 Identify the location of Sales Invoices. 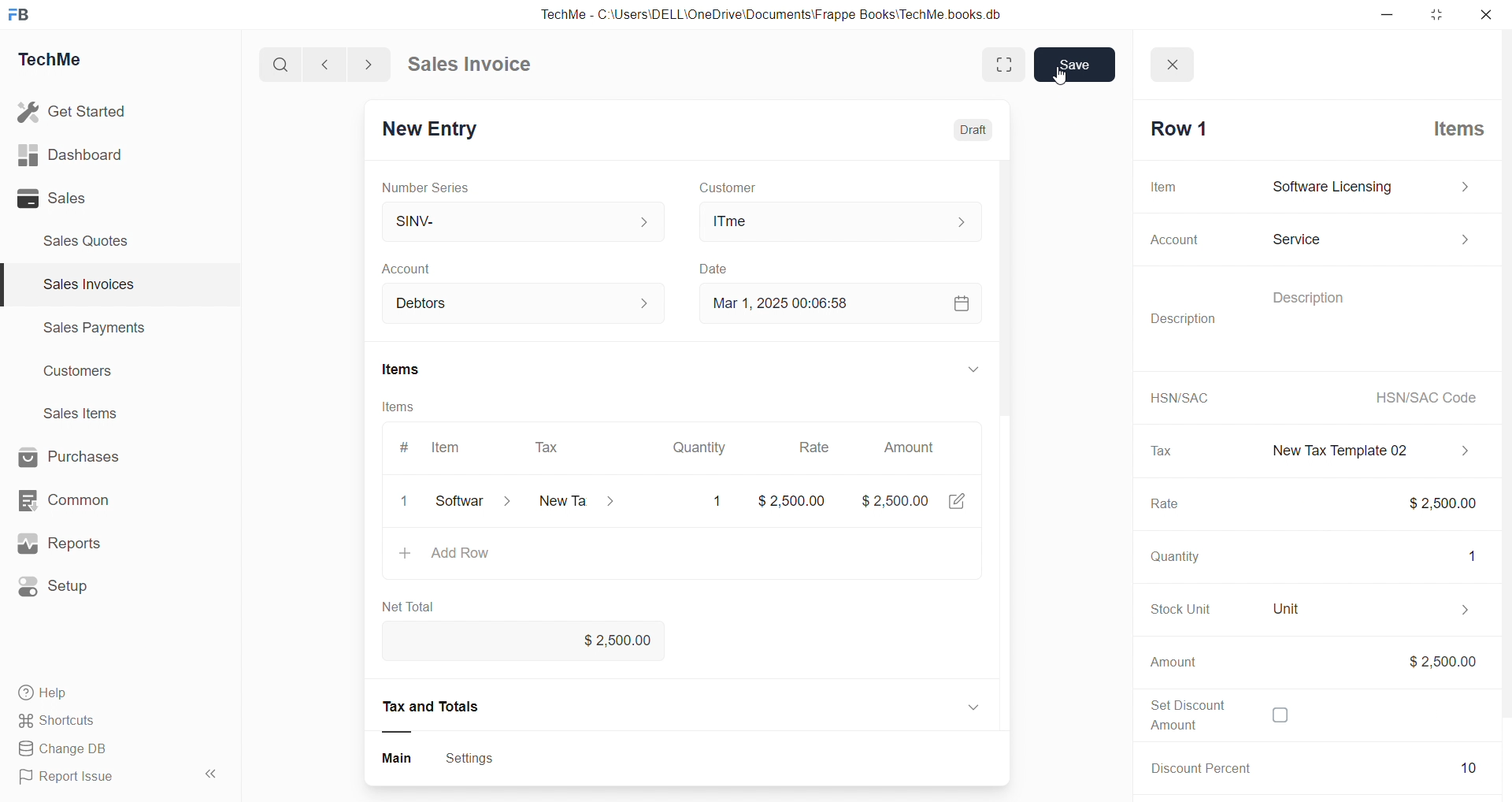
(82, 287).